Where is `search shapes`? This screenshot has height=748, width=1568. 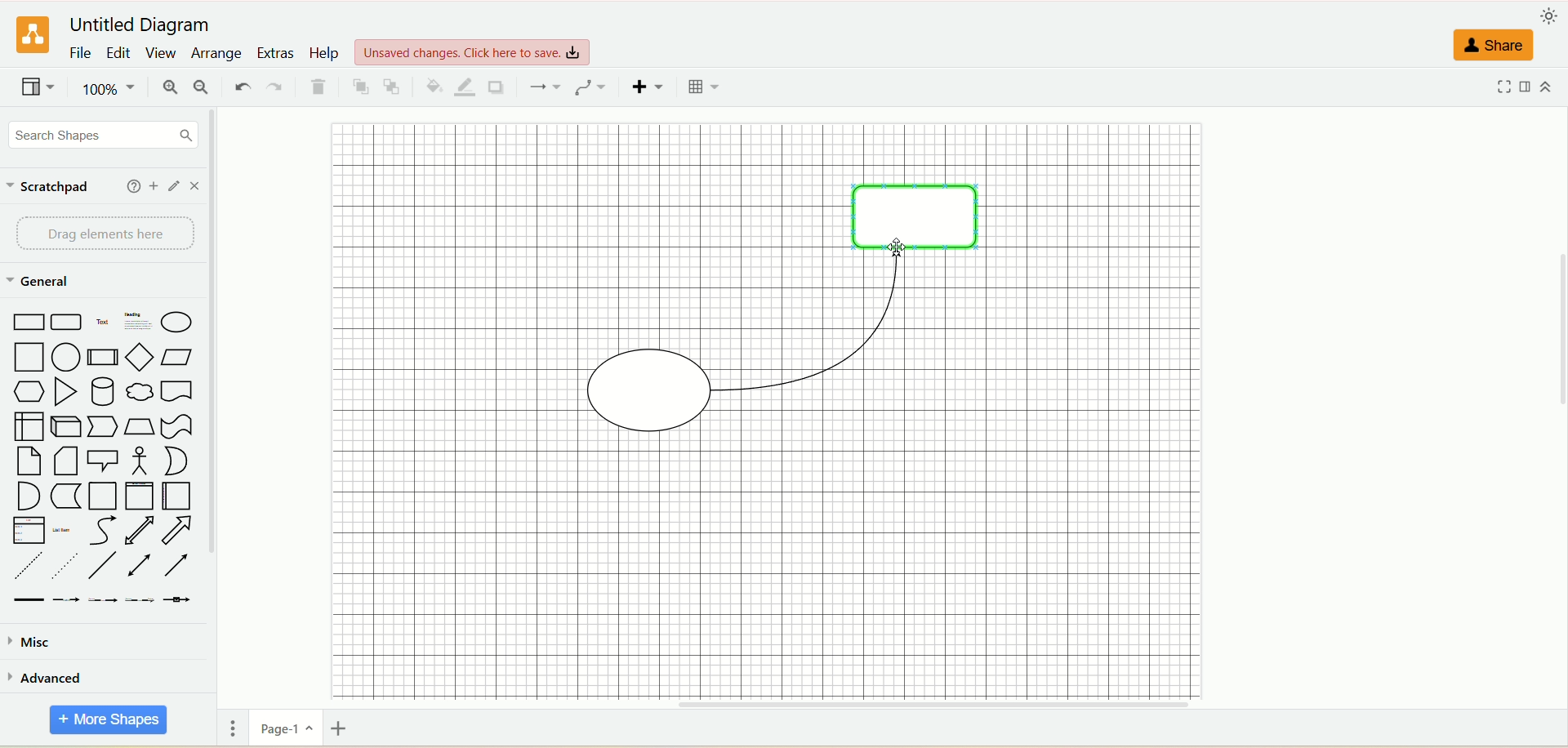 search shapes is located at coordinates (97, 135).